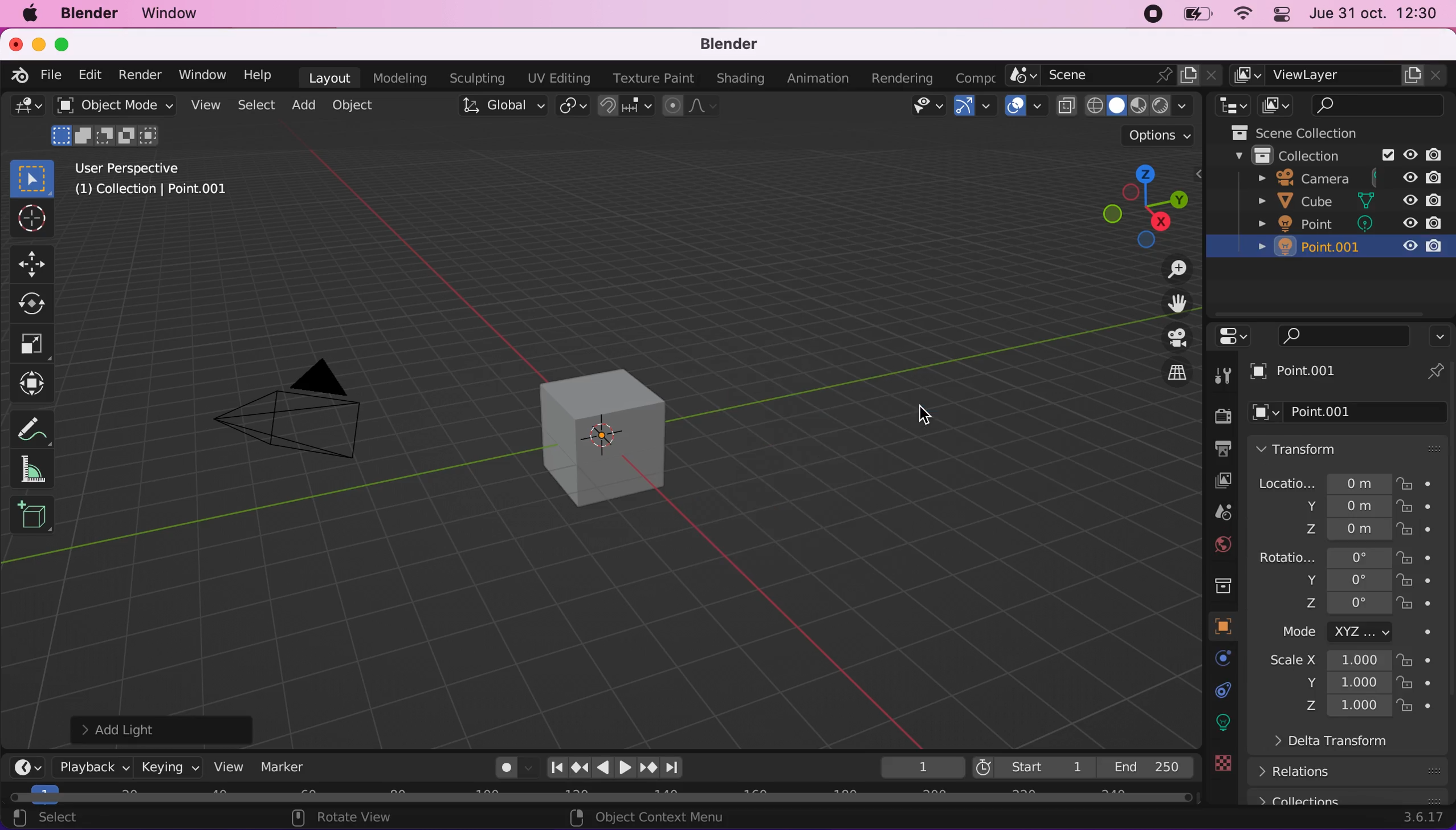  Describe the element at coordinates (1439, 153) in the screenshot. I see `disable in renders` at that location.